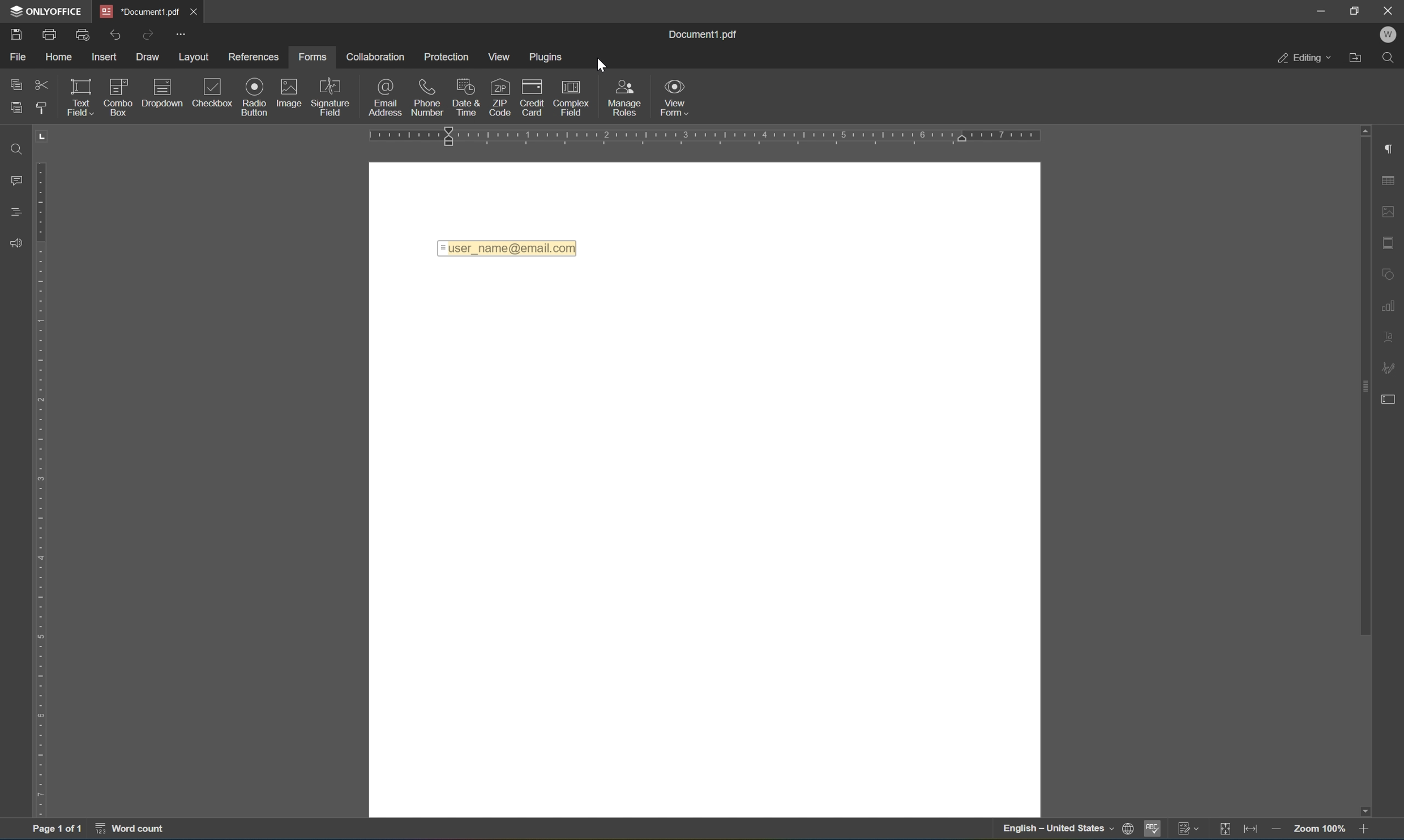 The width and height of the screenshot is (1404, 840). I want to click on image settings, so click(1391, 209).